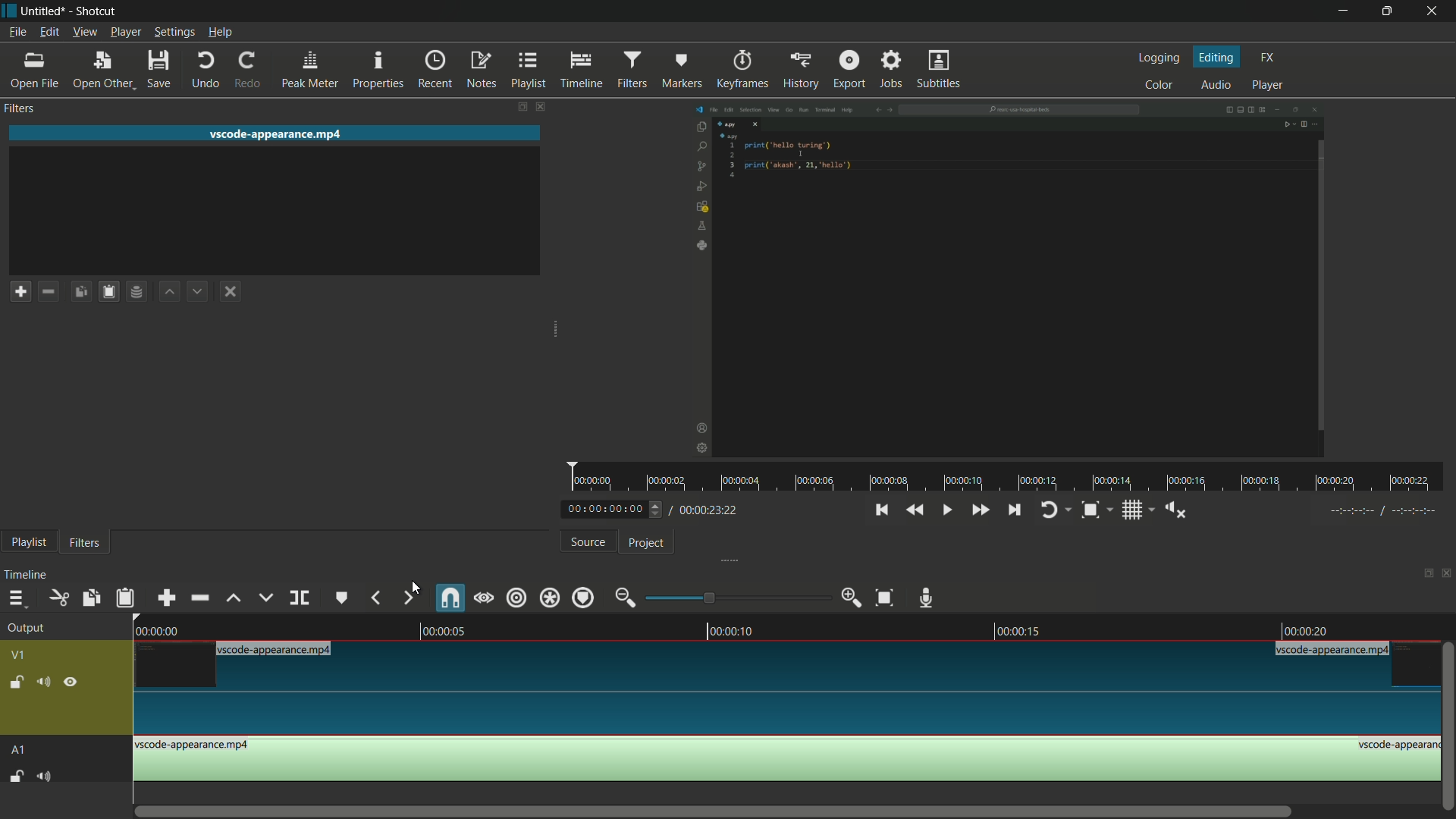  Describe the element at coordinates (20, 109) in the screenshot. I see `filters` at that location.